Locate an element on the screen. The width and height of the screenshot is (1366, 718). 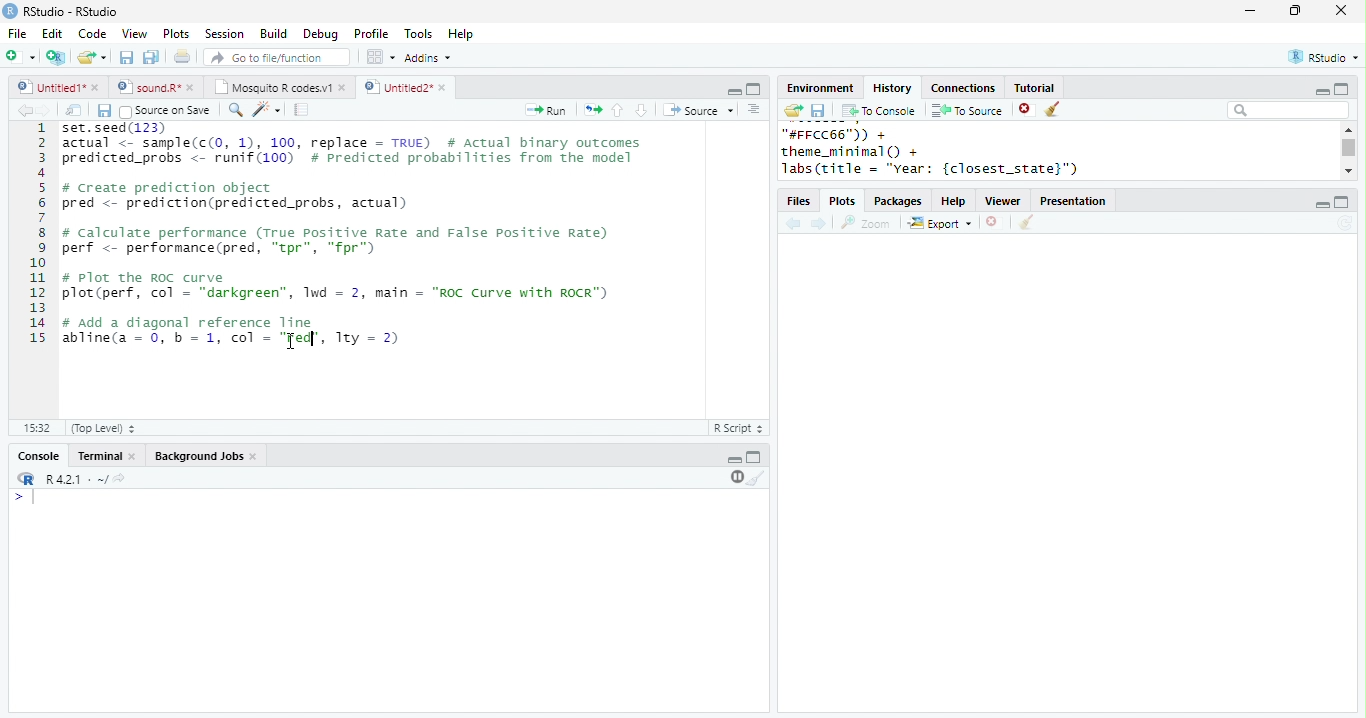
backward is located at coordinates (24, 110).